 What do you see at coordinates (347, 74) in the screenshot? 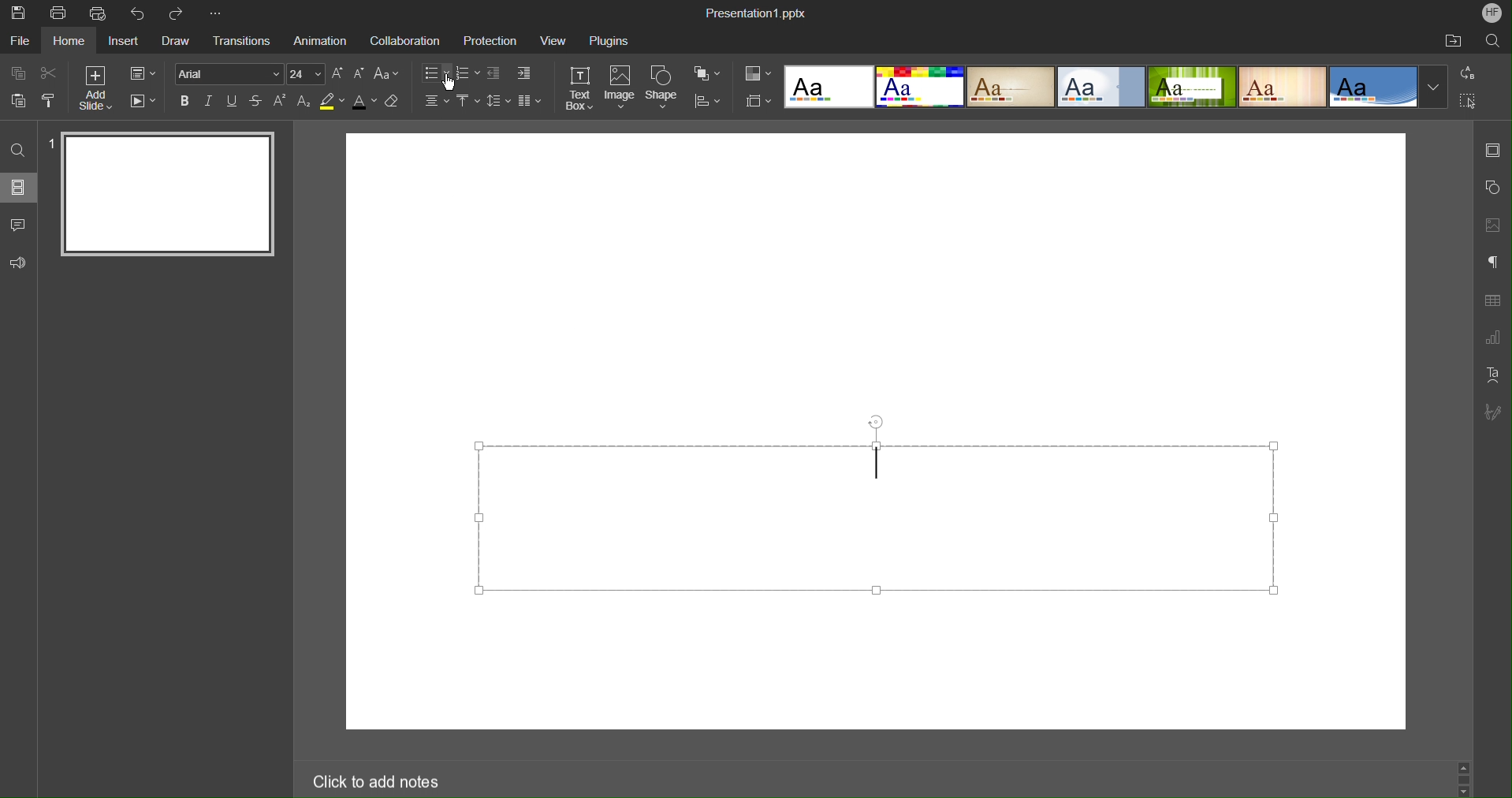
I see `Font Size` at bounding box center [347, 74].